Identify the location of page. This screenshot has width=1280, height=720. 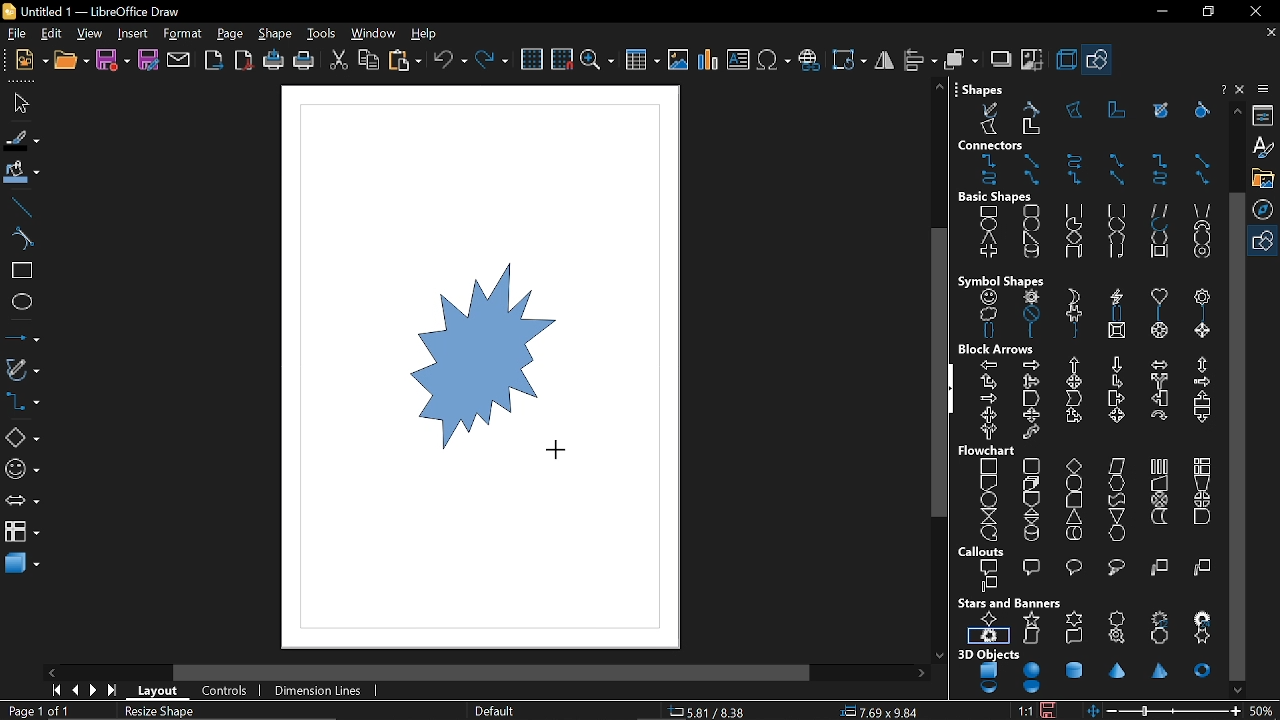
(230, 34).